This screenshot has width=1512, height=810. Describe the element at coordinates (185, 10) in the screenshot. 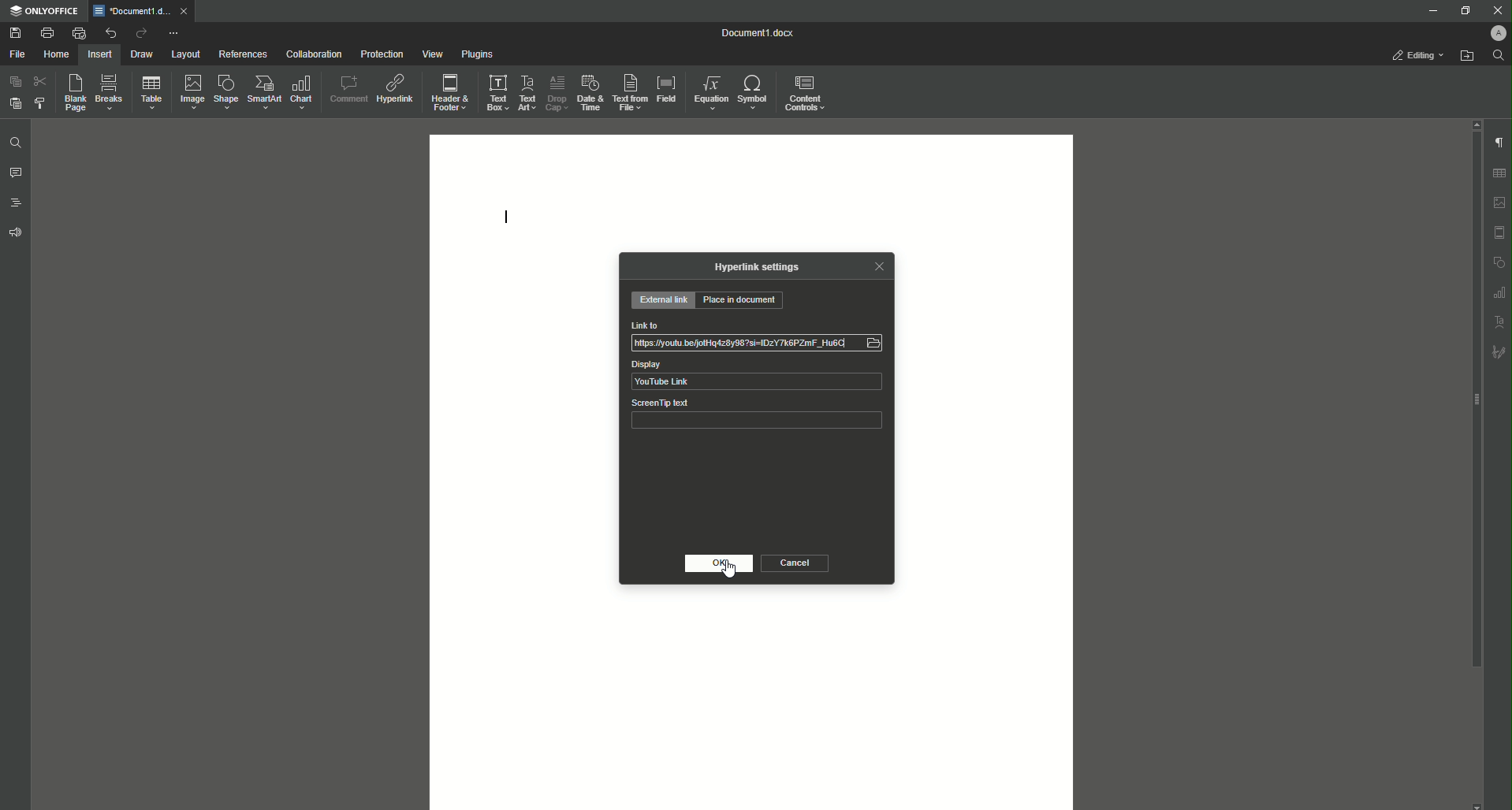

I see `close` at that location.